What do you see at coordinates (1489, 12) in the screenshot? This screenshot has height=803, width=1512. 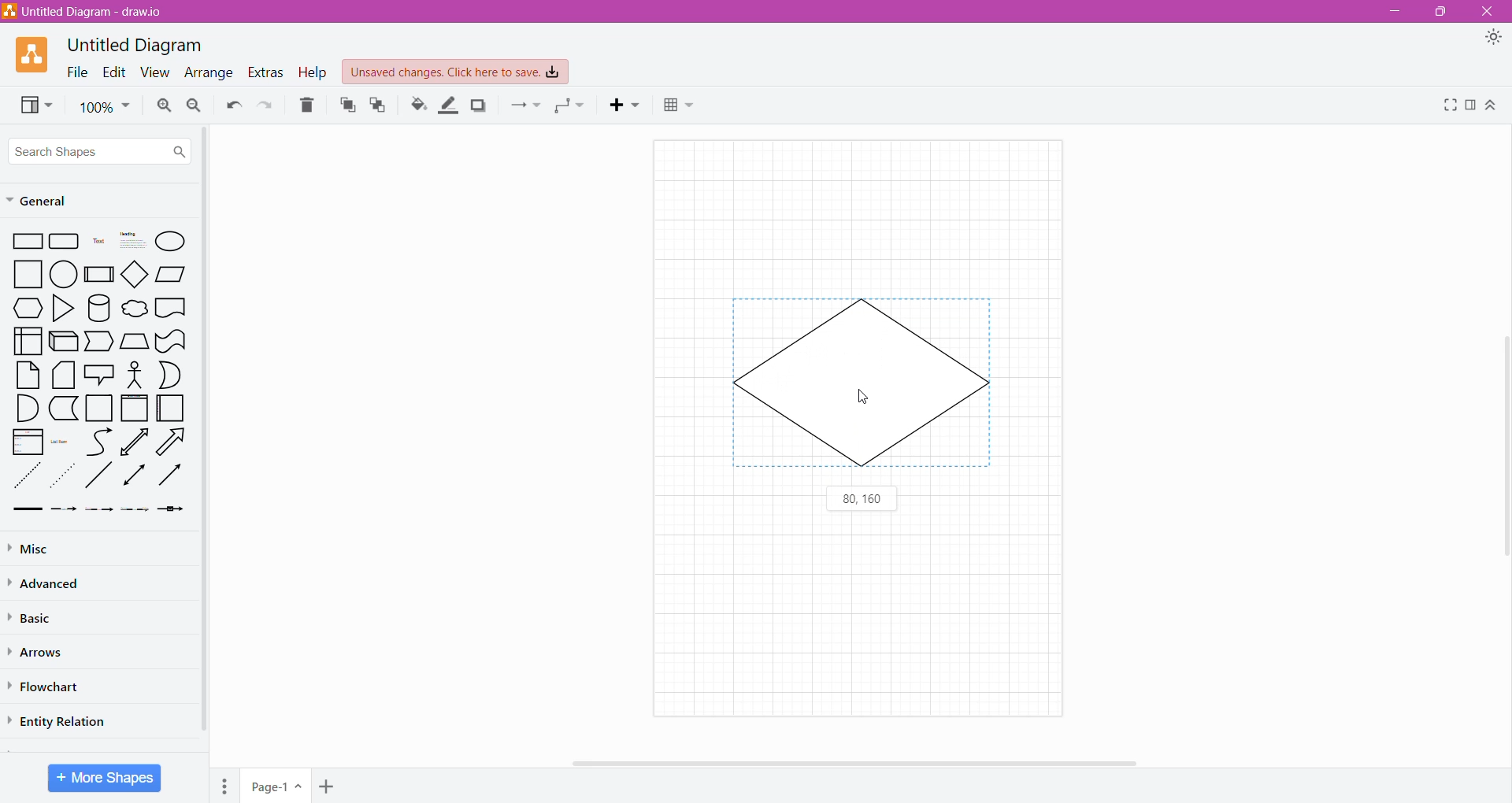 I see `Close` at bounding box center [1489, 12].